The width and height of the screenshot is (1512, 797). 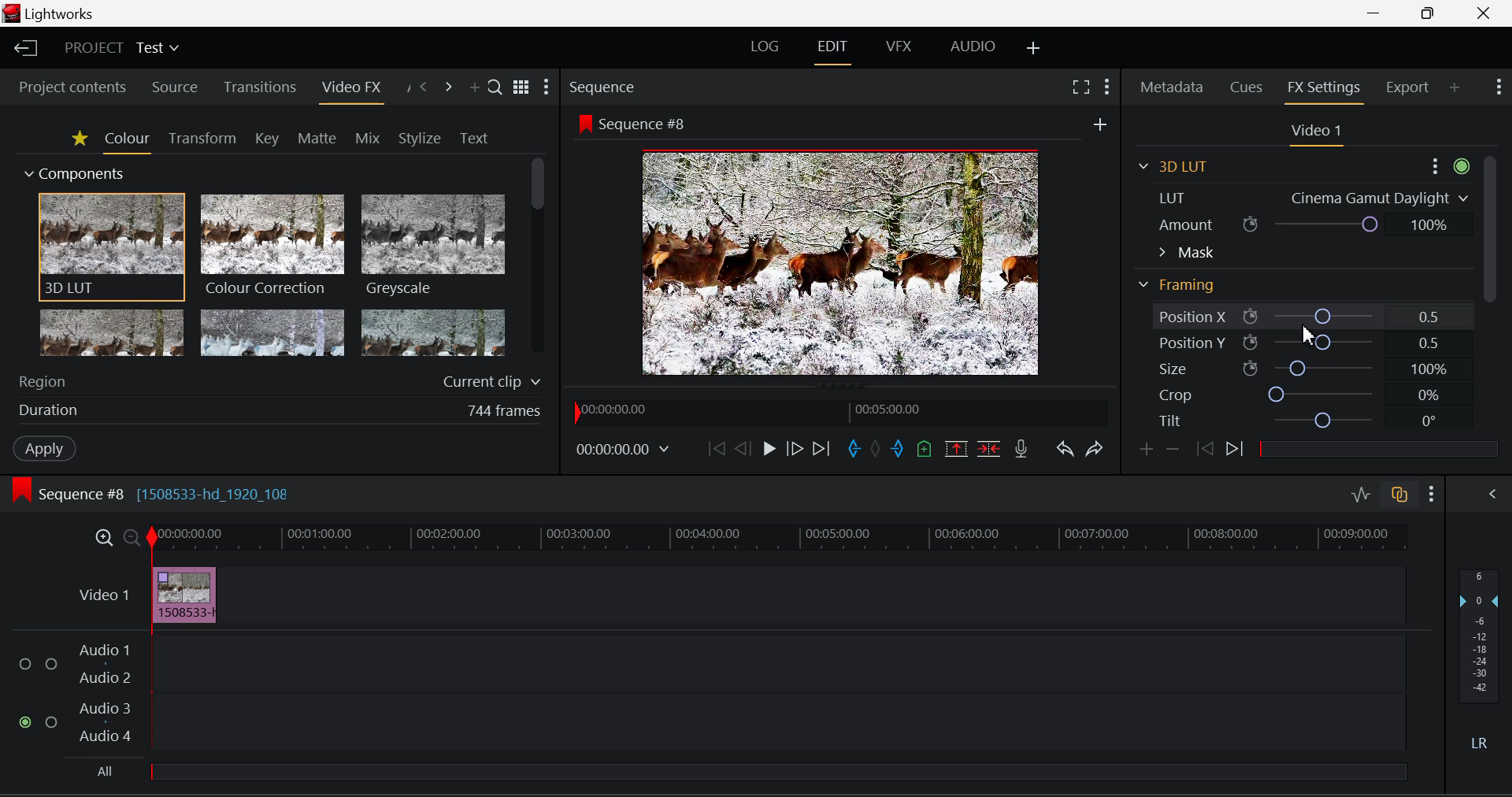 What do you see at coordinates (1303, 344) in the screenshot?
I see `Position Y` at bounding box center [1303, 344].